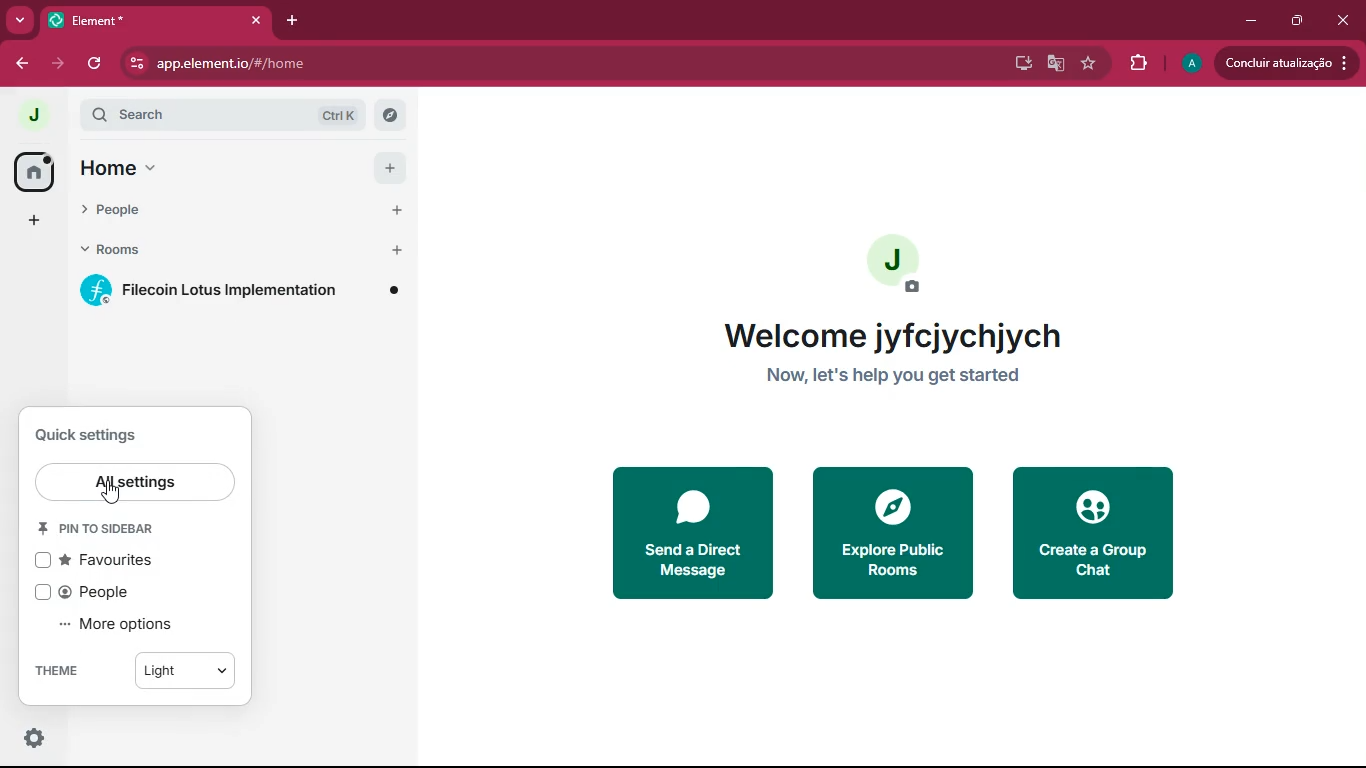 Image resolution: width=1366 pixels, height=768 pixels. I want to click on element, so click(155, 18).